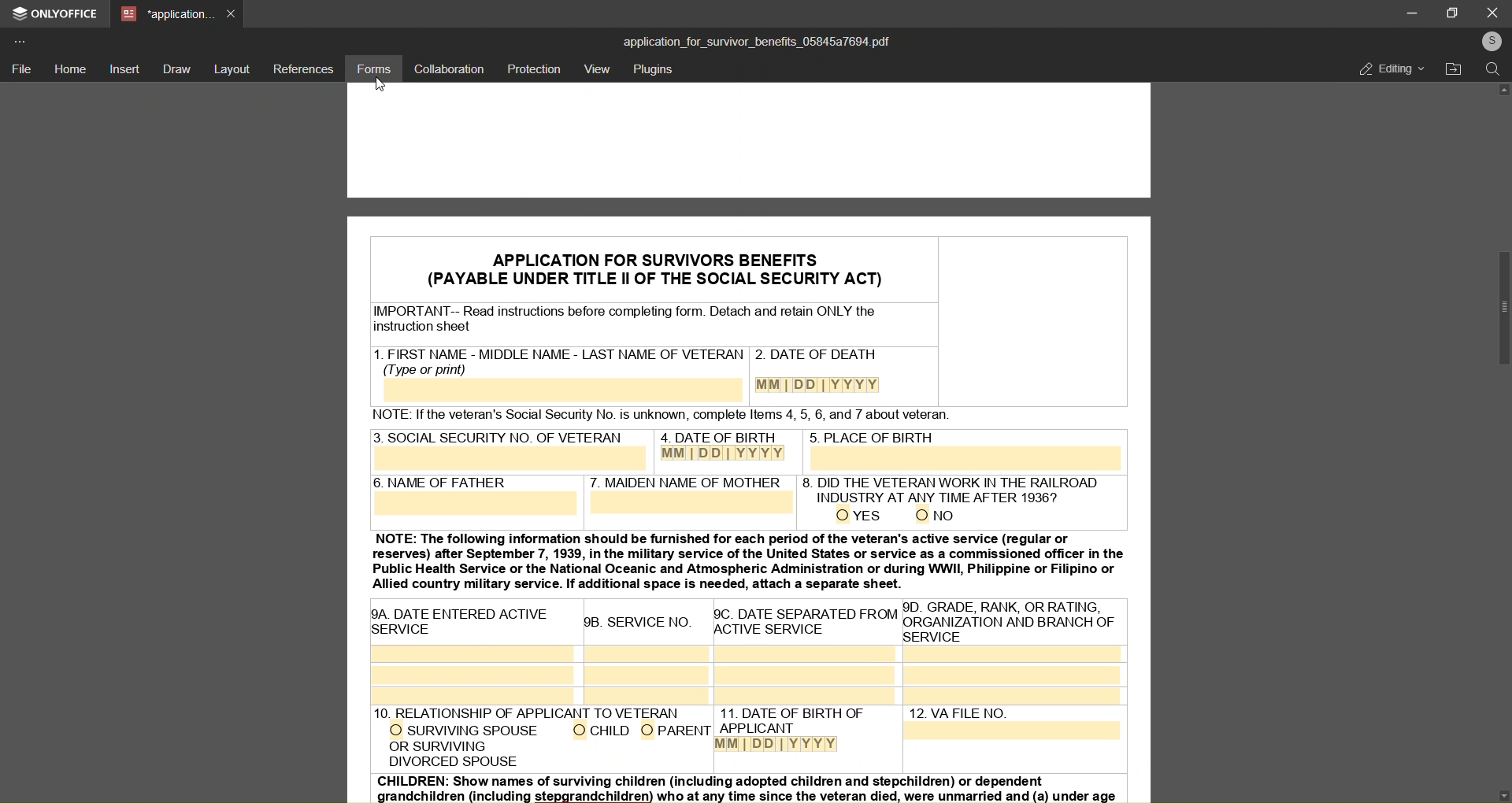  I want to click on plugins, so click(655, 71).